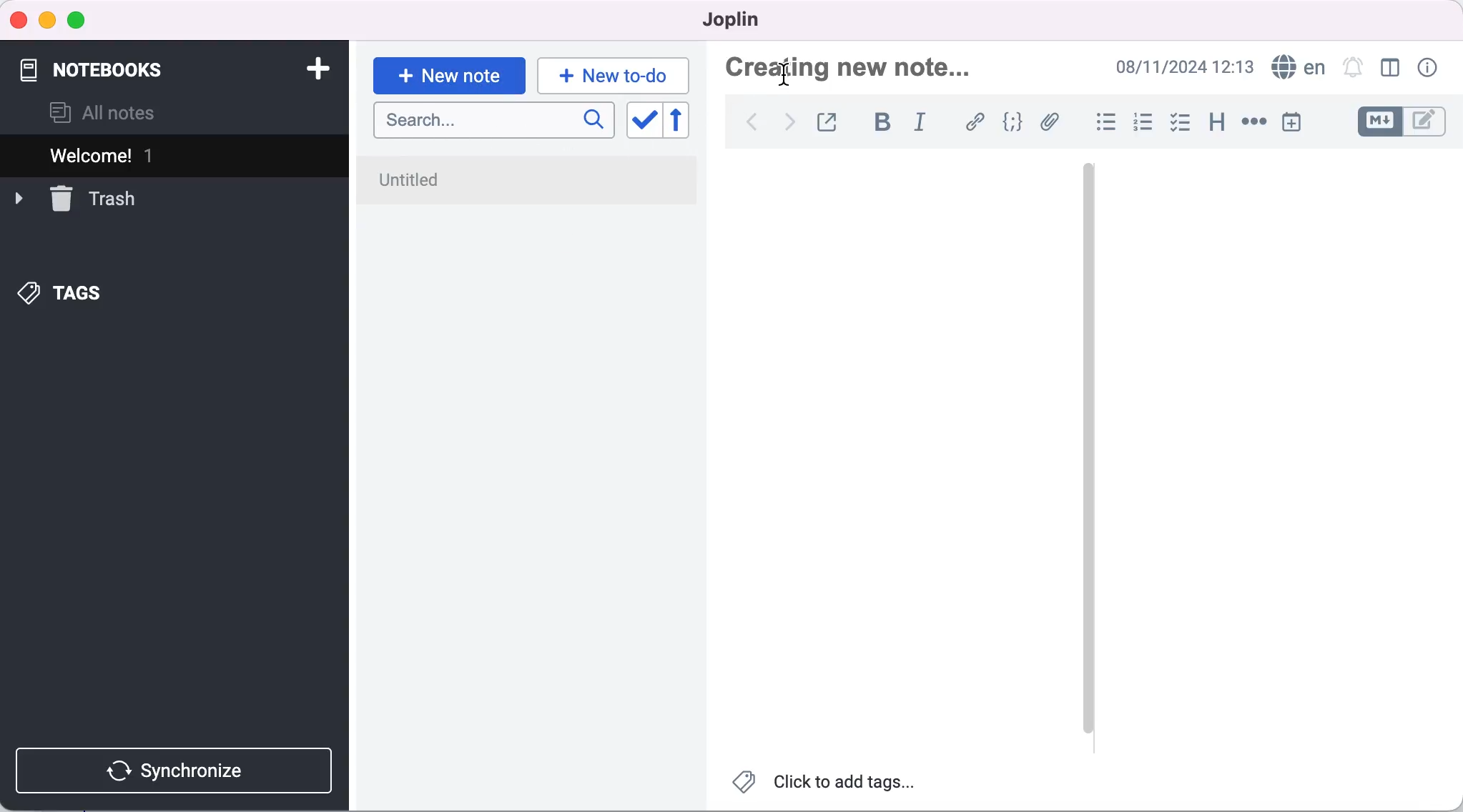 This screenshot has width=1463, height=812. What do you see at coordinates (826, 786) in the screenshot?
I see `click to add tags` at bounding box center [826, 786].